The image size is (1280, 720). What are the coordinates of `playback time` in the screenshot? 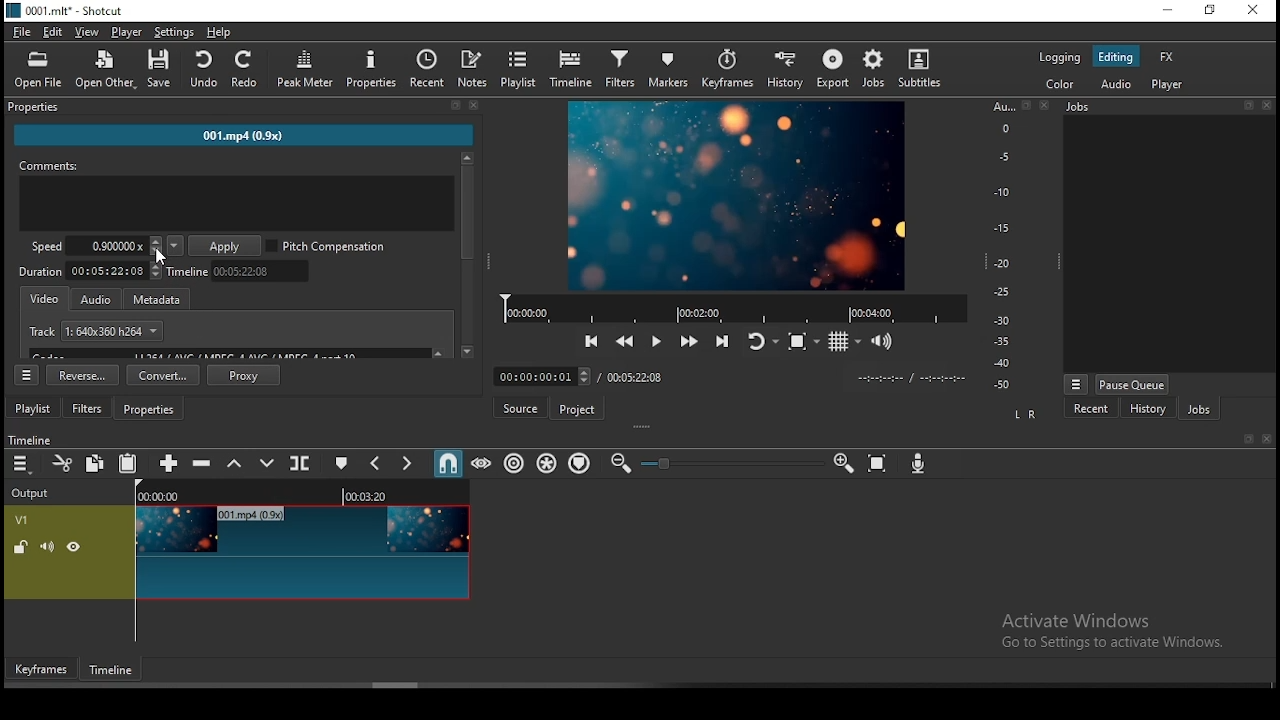 It's located at (727, 307).